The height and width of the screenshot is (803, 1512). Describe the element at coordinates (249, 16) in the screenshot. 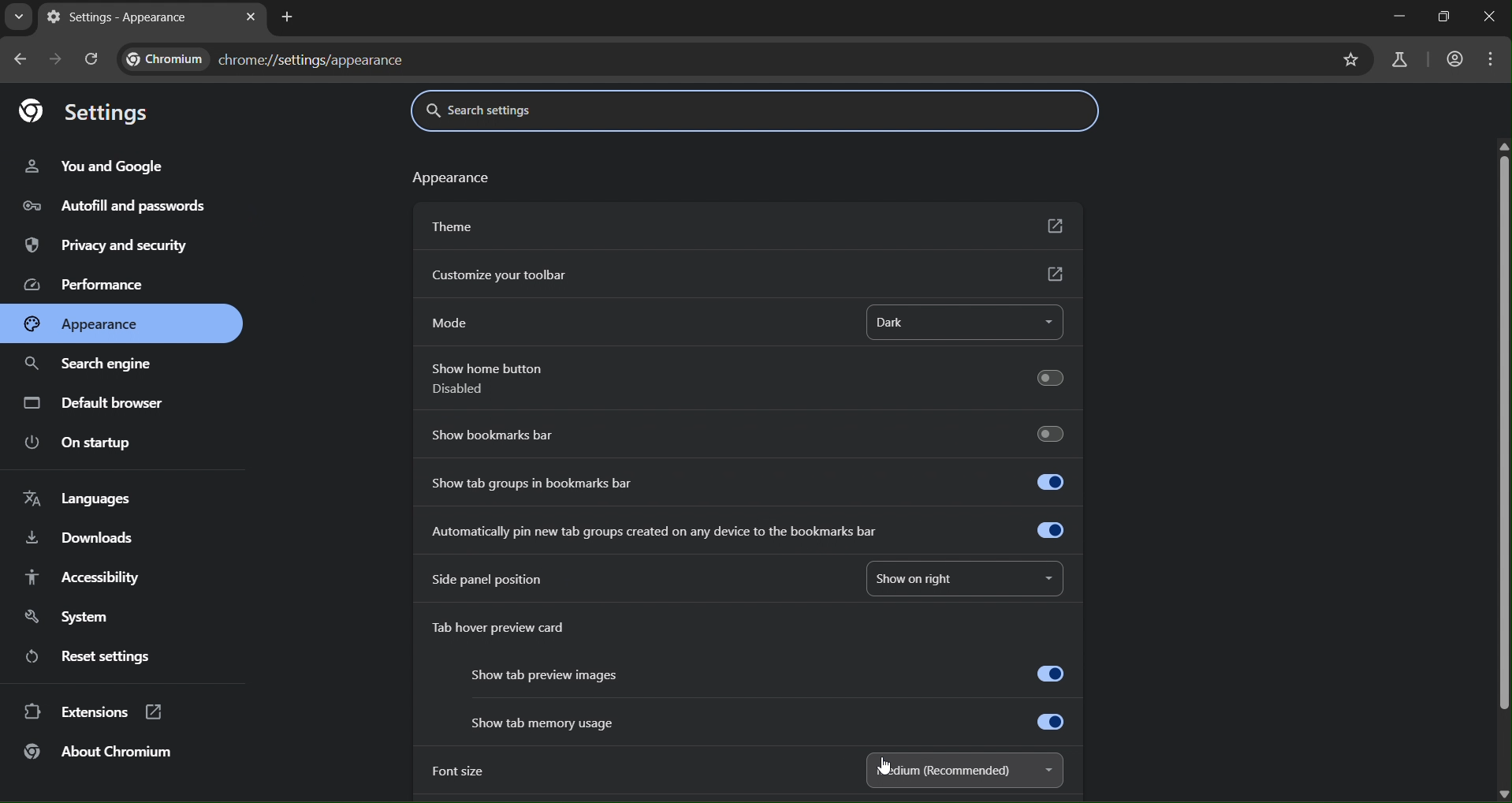

I see `close tab` at that location.